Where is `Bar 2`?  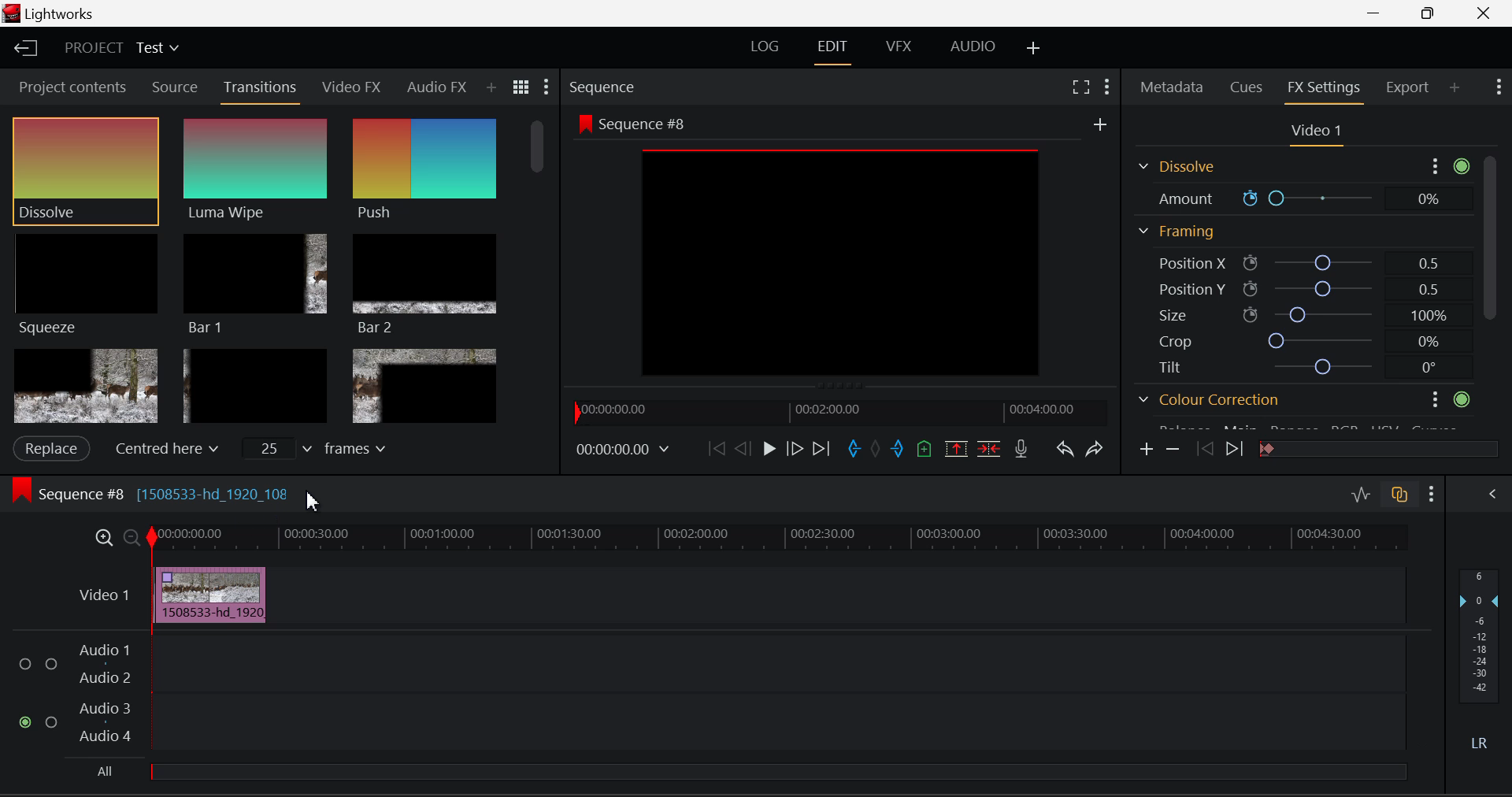 Bar 2 is located at coordinates (425, 286).